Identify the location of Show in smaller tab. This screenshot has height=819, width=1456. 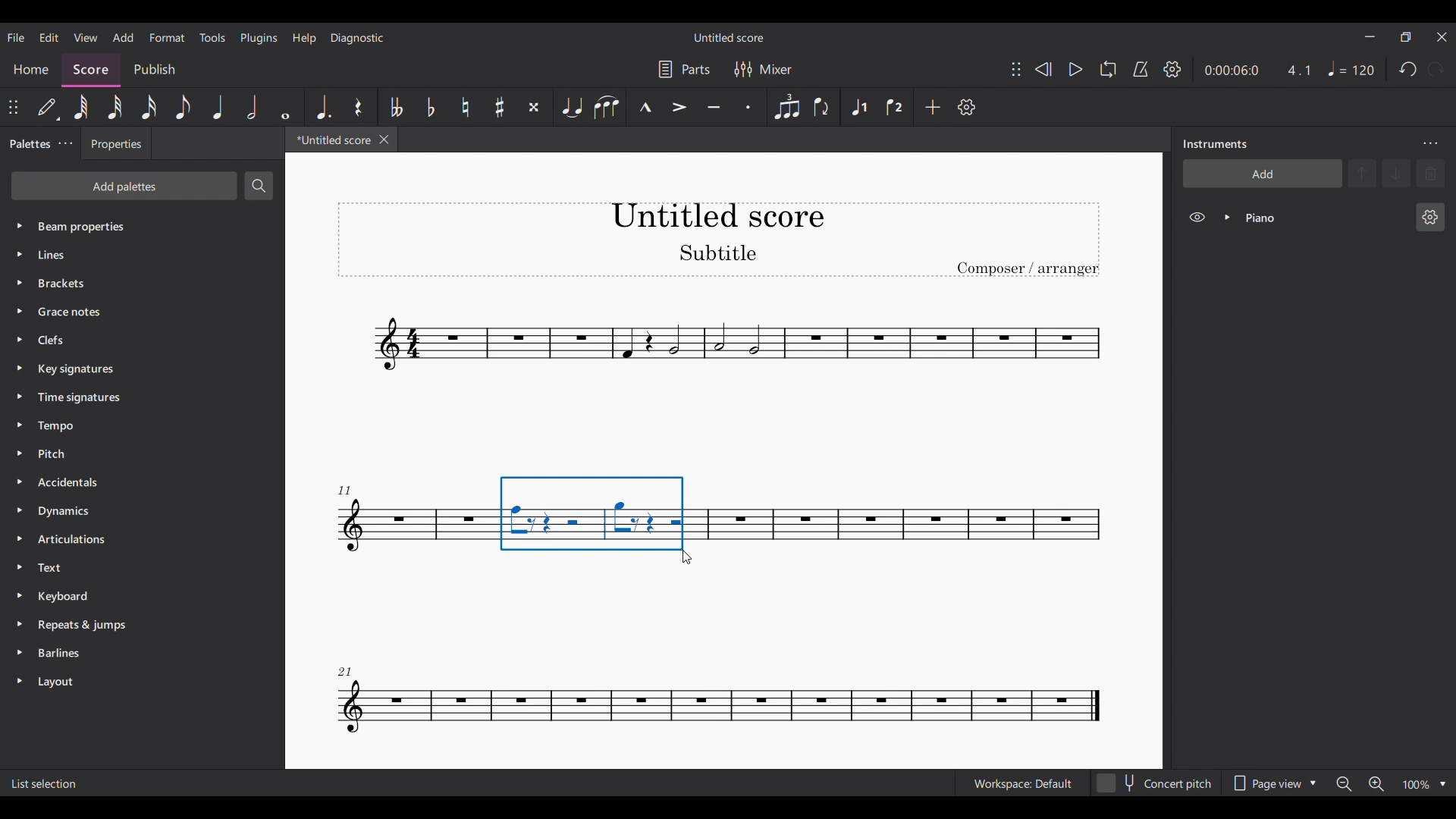
(1405, 36).